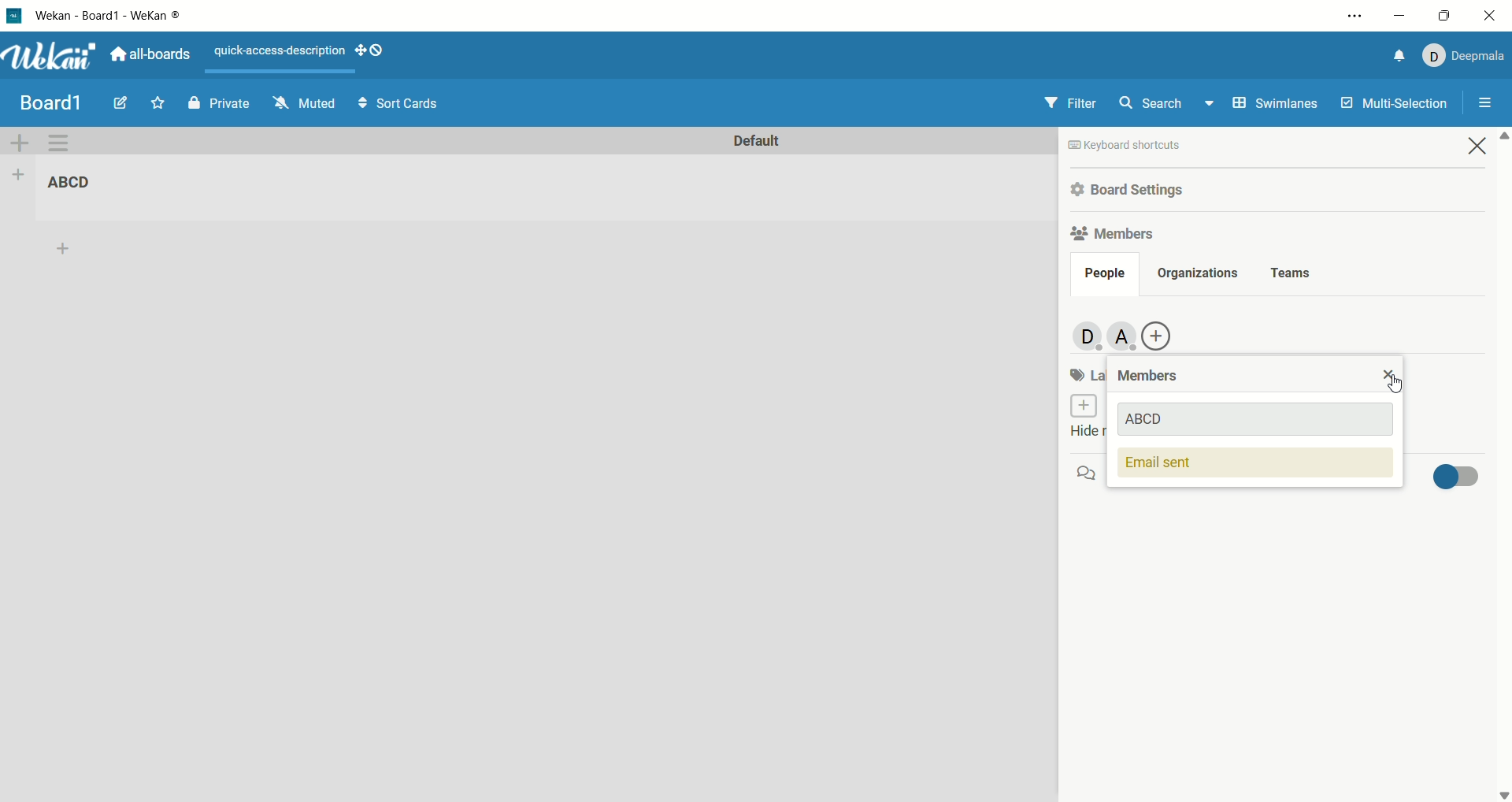 This screenshot has height=802, width=1512. I want to click on sort cards, so click(399, 102).